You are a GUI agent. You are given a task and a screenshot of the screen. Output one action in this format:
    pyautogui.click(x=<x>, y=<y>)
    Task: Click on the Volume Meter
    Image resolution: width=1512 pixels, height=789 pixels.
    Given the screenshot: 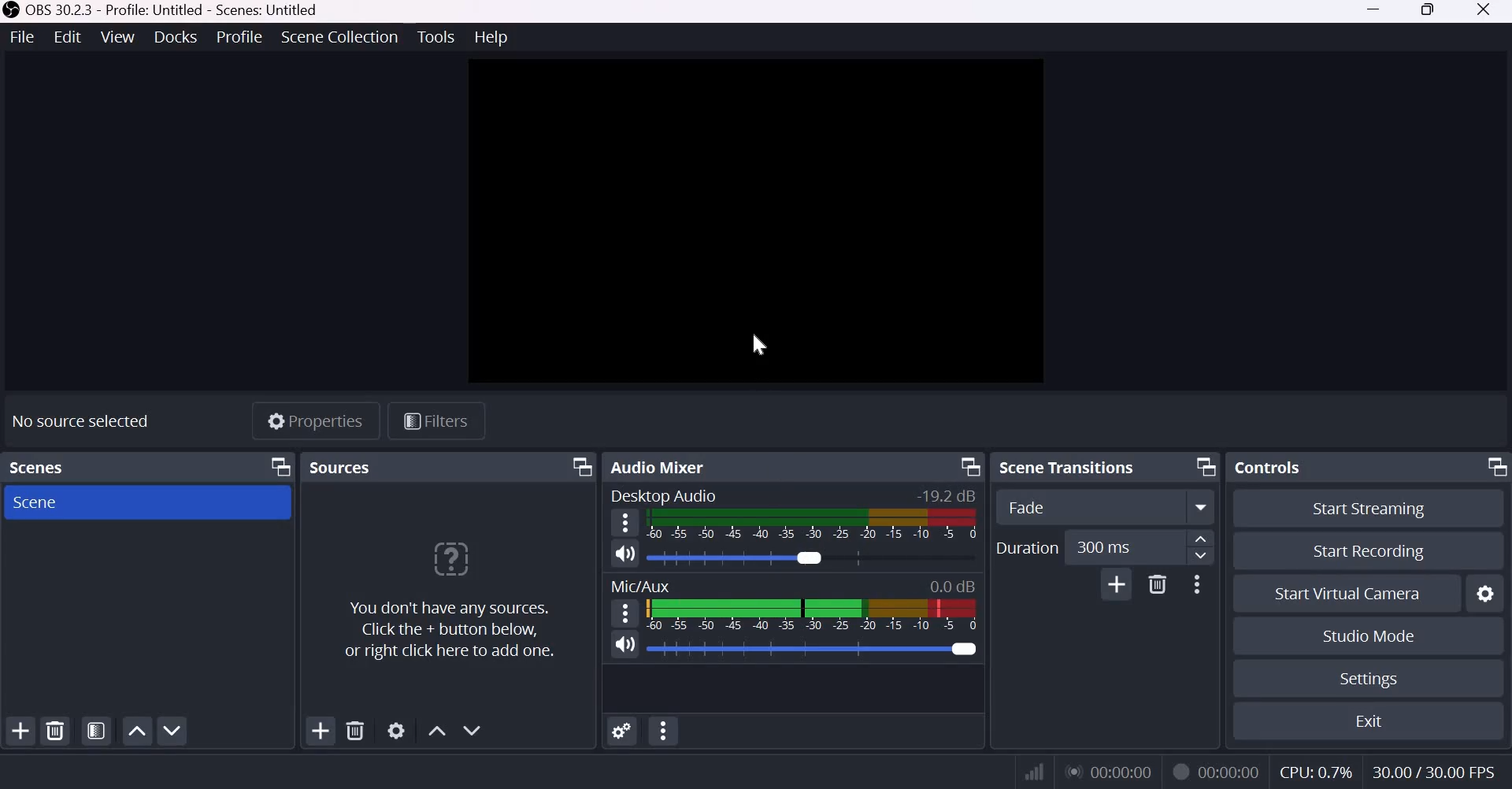 What is the action you would take?
    pyautogui.click(x=813, y=614)
    